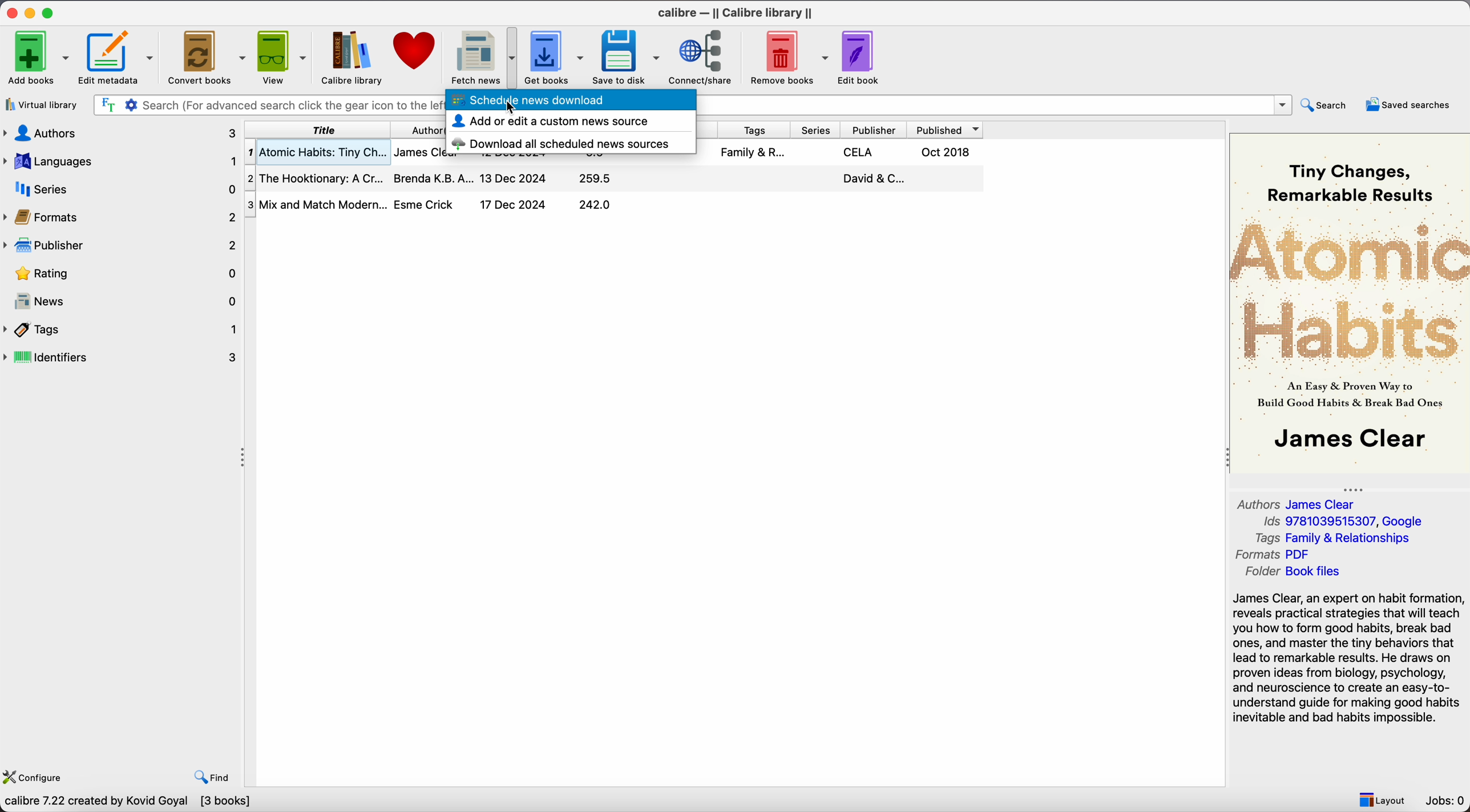  I want to click on add or edit a custom news source, so click(550, 122).